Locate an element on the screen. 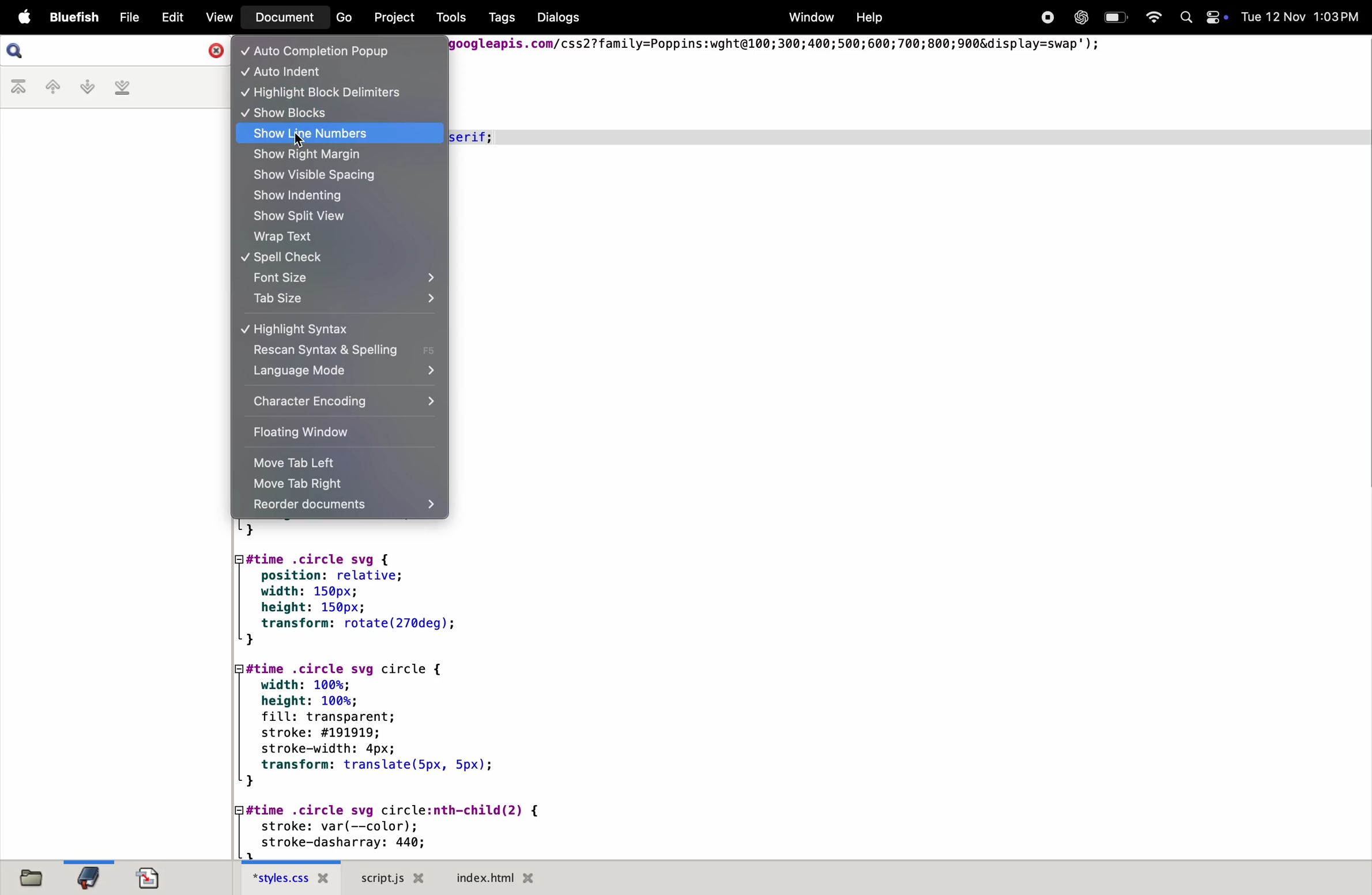 The width and height of the screenshot is (1372, 895). language mode is located at coordinates (336, 373).